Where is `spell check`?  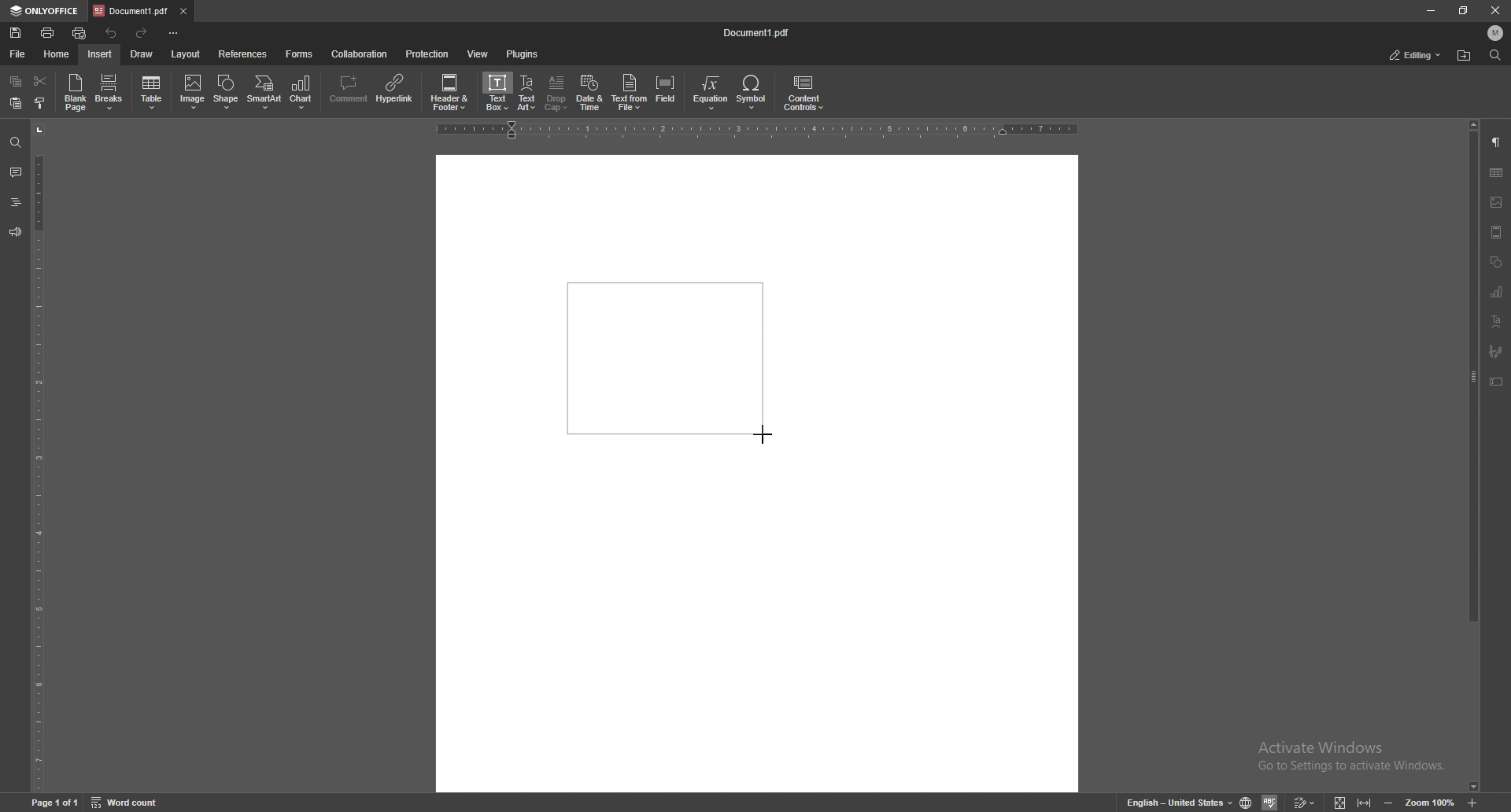 spell check is located at coordinates (1269, 802).